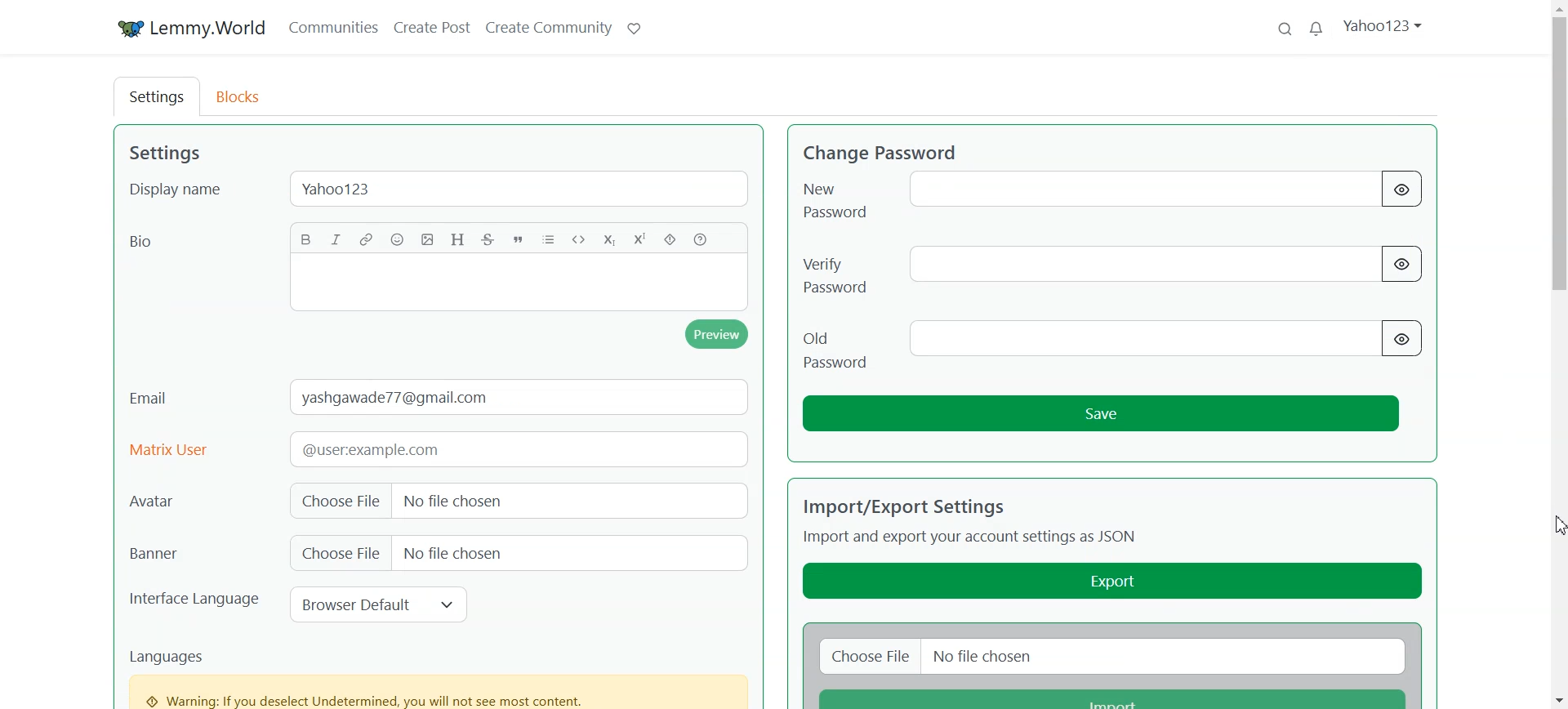  I want to click on Import/Export Settings Import and export your account settings as JSON, so click(975, 519).